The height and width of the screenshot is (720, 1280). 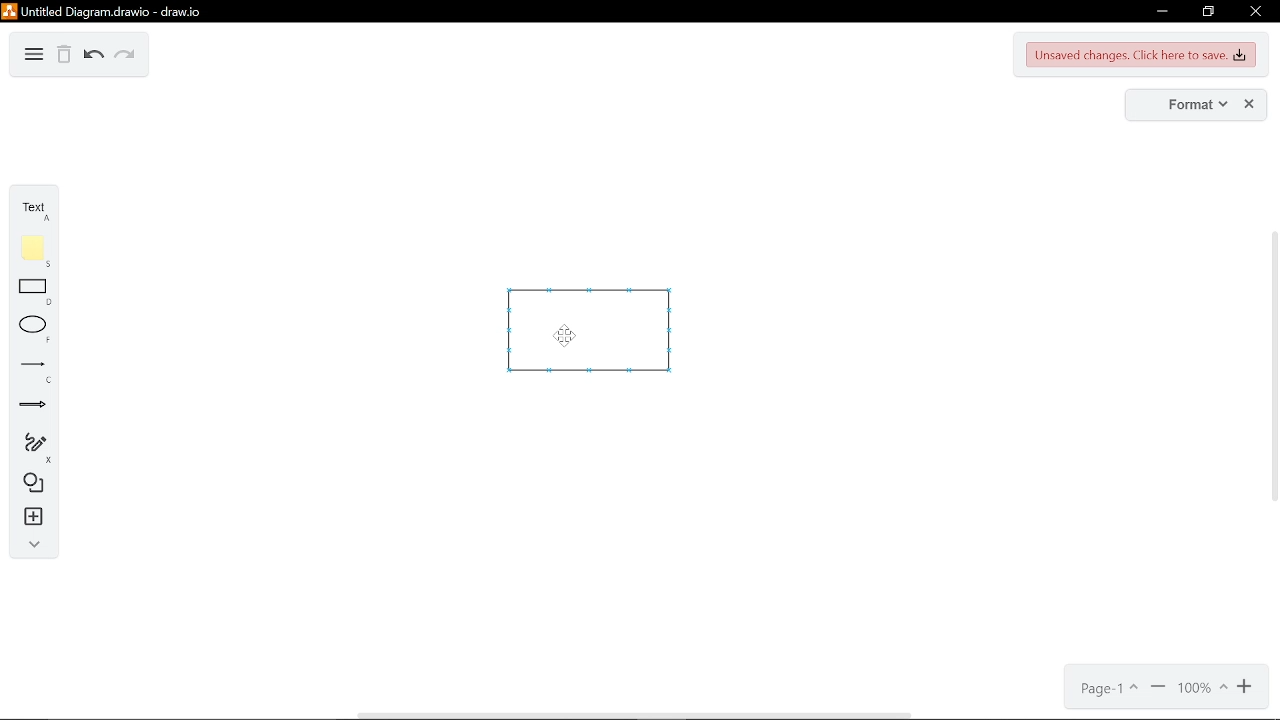 What do you see at coordinates (1272, 371) in the screenshot?
I see `vertical scrollbar` at bounding box center [1272, 371].